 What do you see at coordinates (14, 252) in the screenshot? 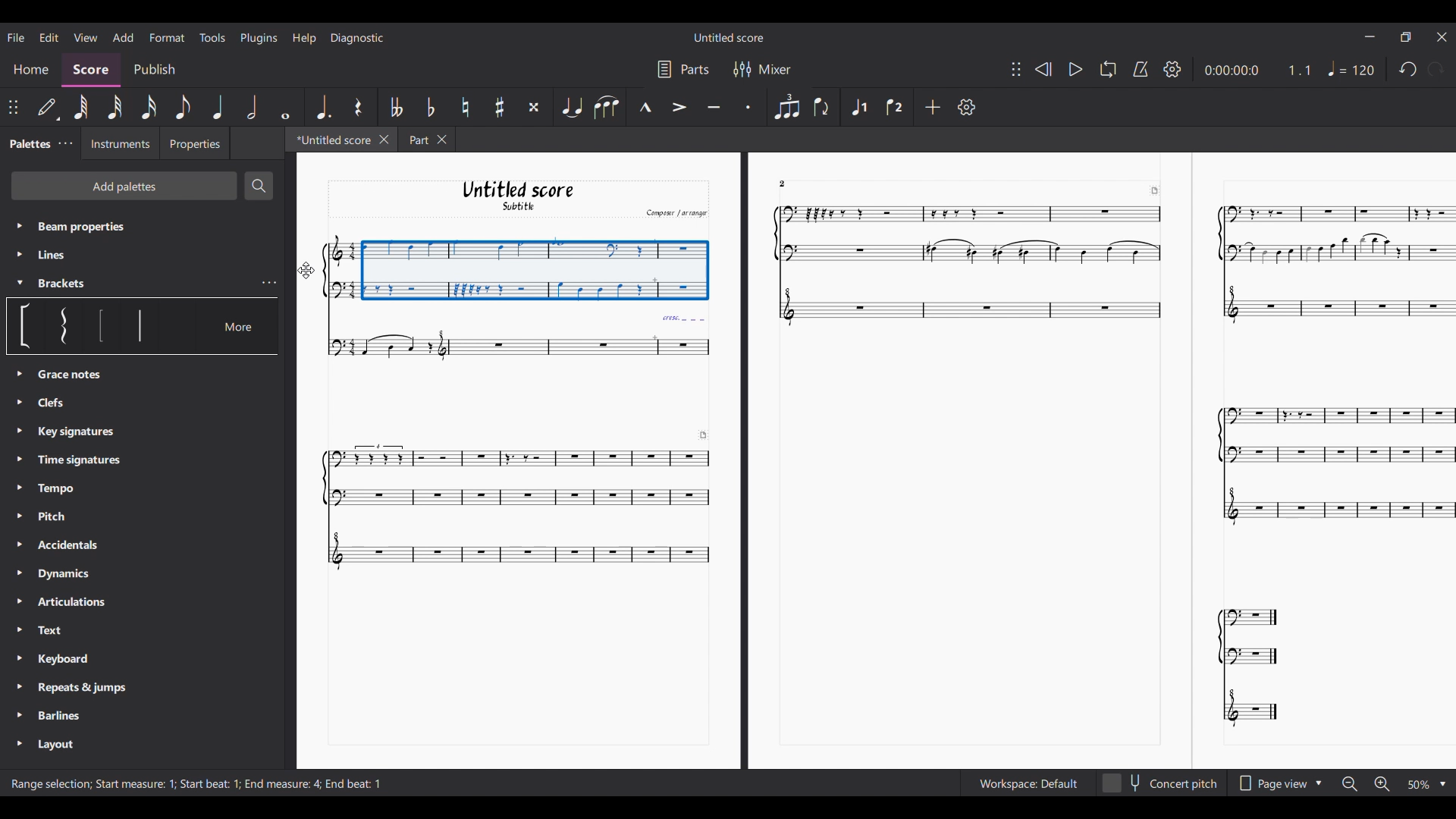
I see `` at bounding box center [14, 252].